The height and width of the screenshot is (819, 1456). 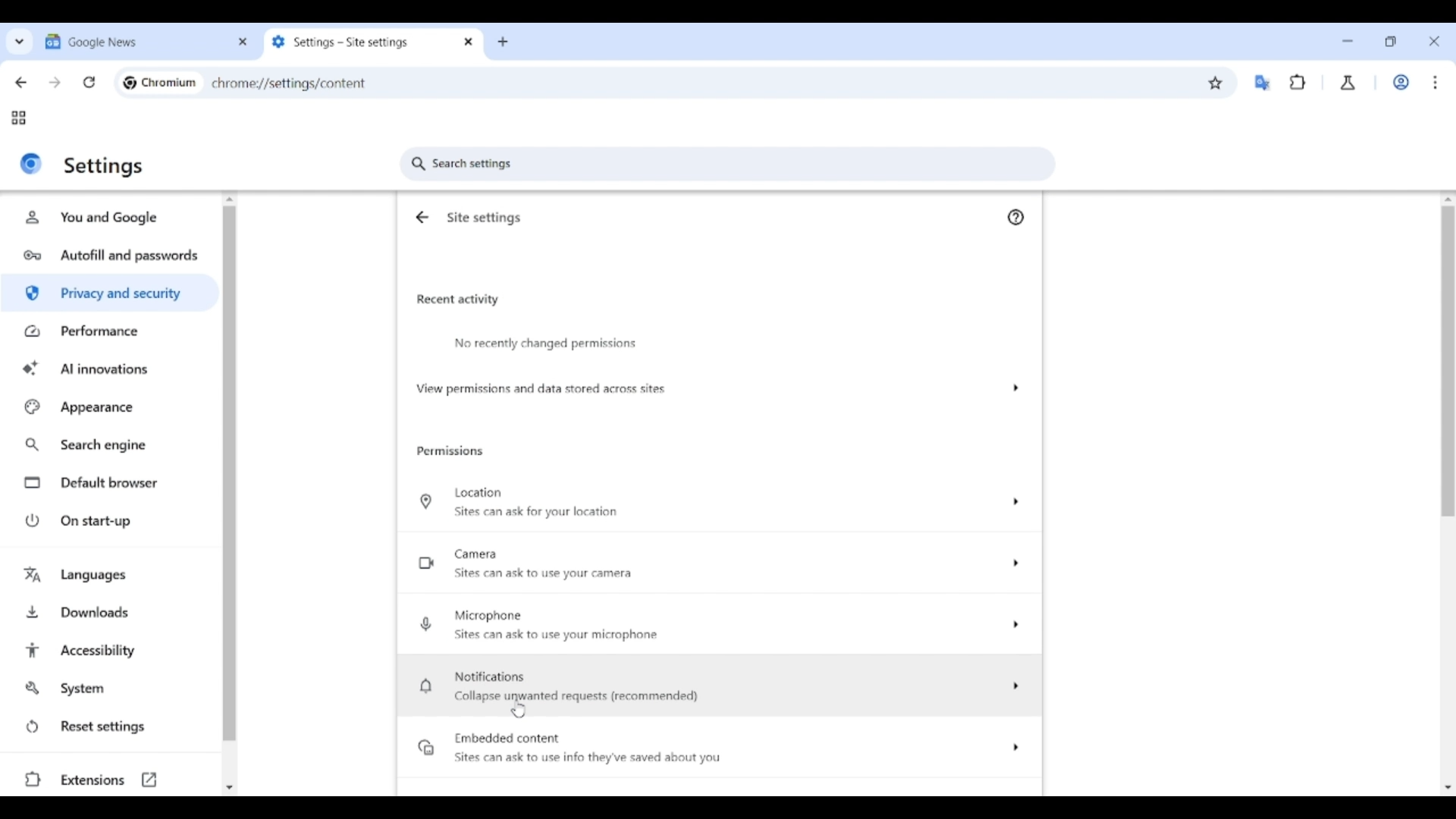 What do you see at coordinates (544, 344) in the screenshot?
I see `No recently changed permissions` at bounding box center [544, 344].